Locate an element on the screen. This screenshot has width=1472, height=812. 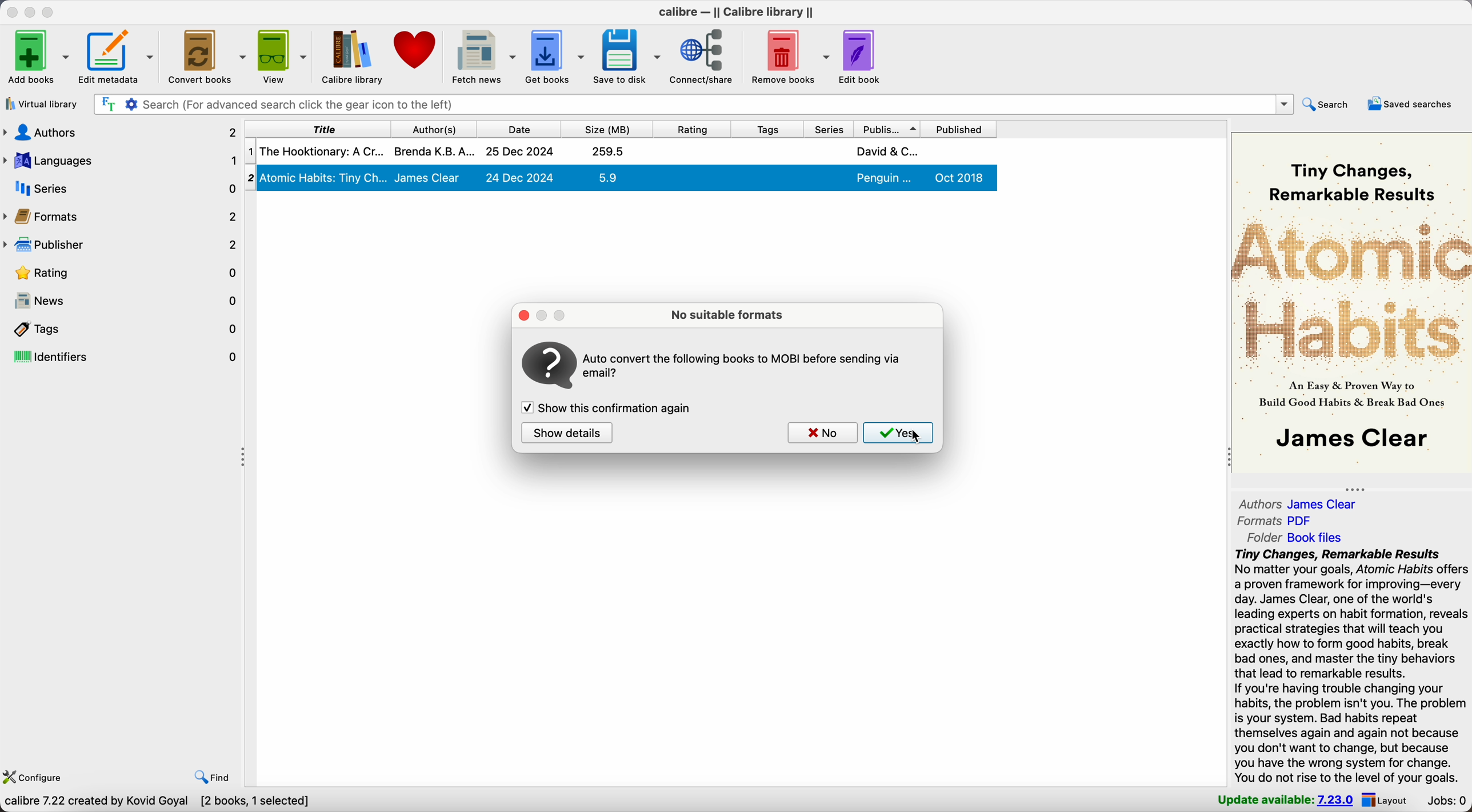
author(s) is located at coordinates (431, 128).